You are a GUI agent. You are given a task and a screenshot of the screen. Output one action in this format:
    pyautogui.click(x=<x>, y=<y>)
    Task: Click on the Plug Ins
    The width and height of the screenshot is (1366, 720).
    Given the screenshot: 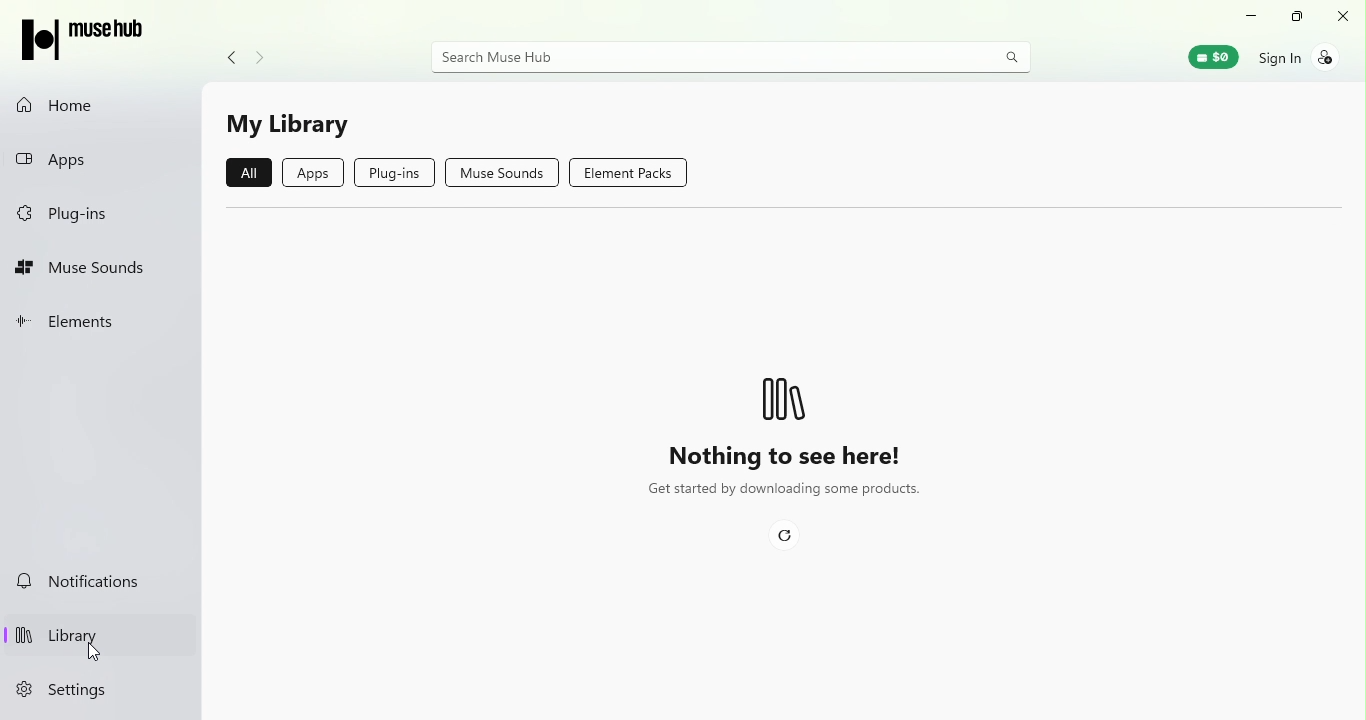 What is the action you would take?
    pyautogui.click(x=399, y=173)
    